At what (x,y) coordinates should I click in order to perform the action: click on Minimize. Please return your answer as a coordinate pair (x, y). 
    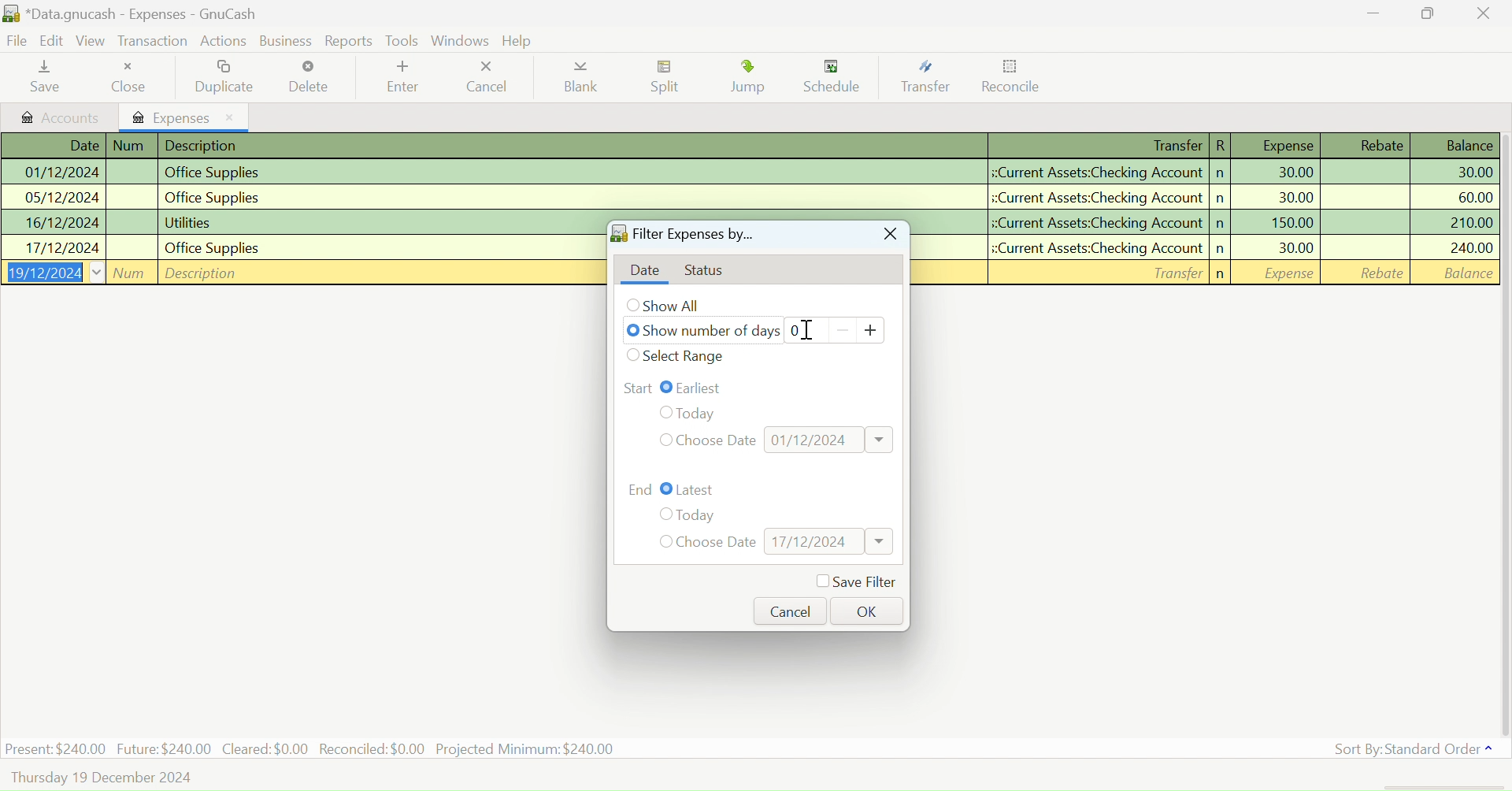
    Looking at the image, I should click on (1429, 13).